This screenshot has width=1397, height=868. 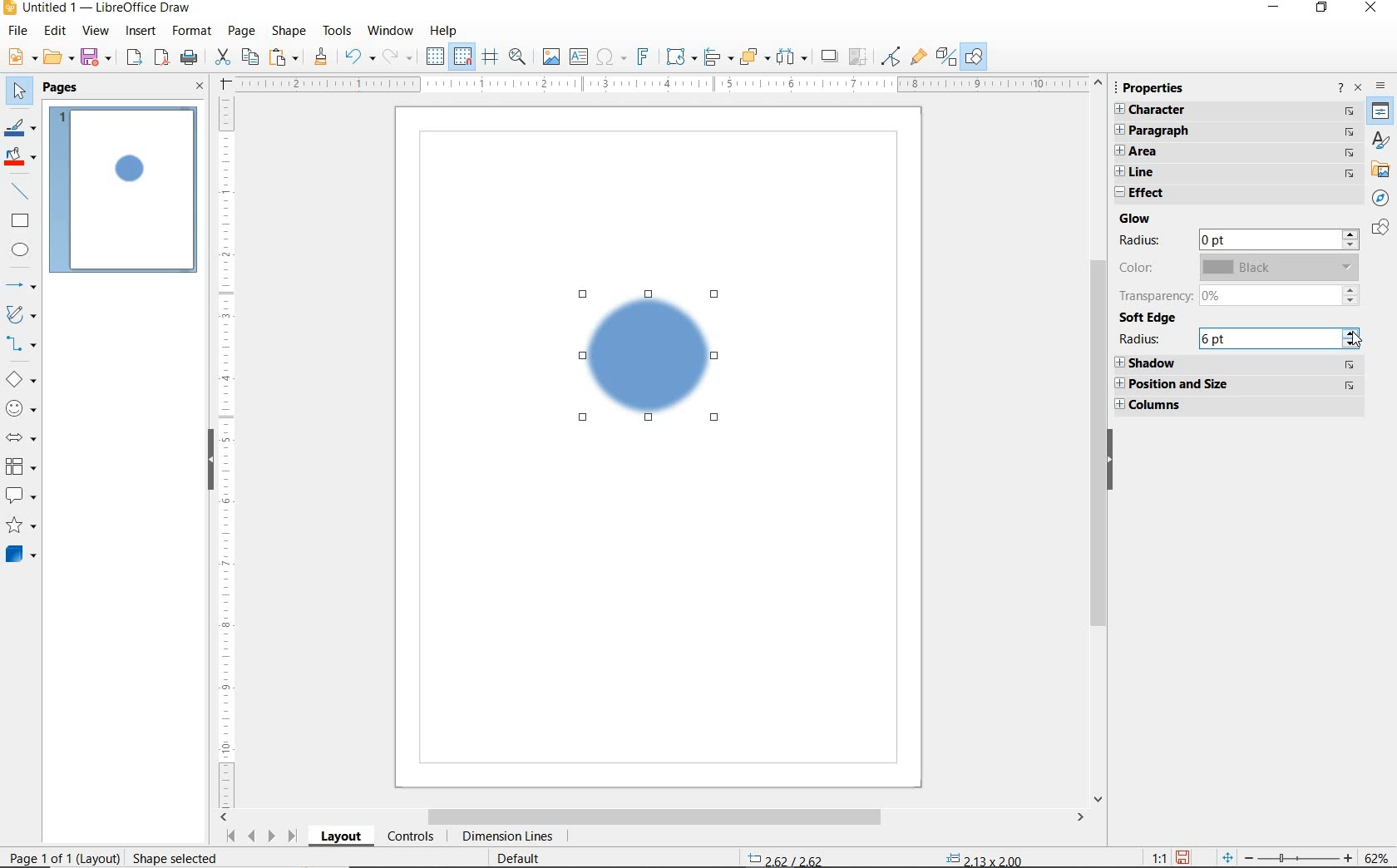 What do you see at coordinates (250, 58) in the screenshot?
I see `COPY` at bounding box center [250, 58].